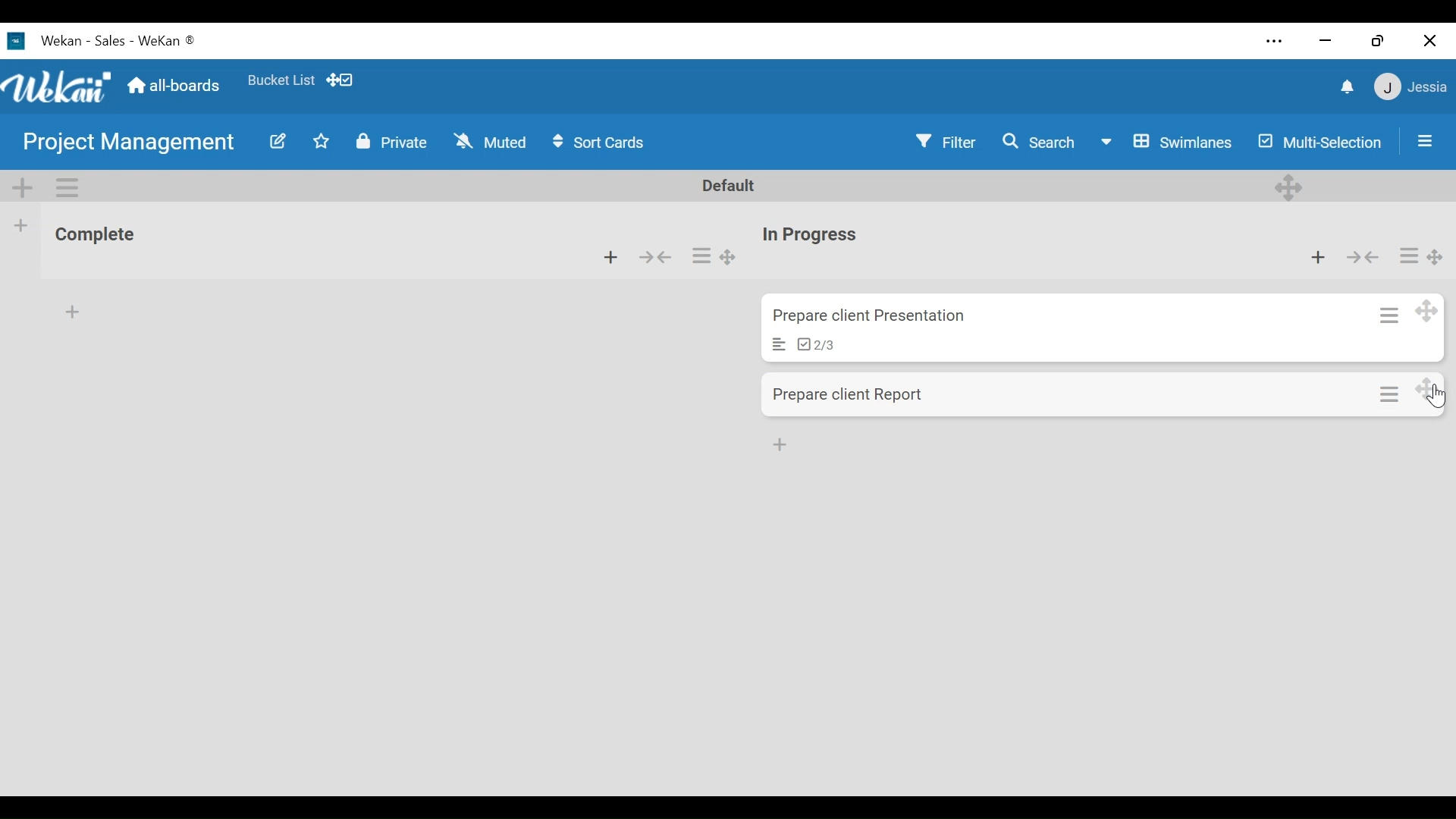  Describe the element at coordinates (393, 143) in the screenshot. I see `Private` at that location.